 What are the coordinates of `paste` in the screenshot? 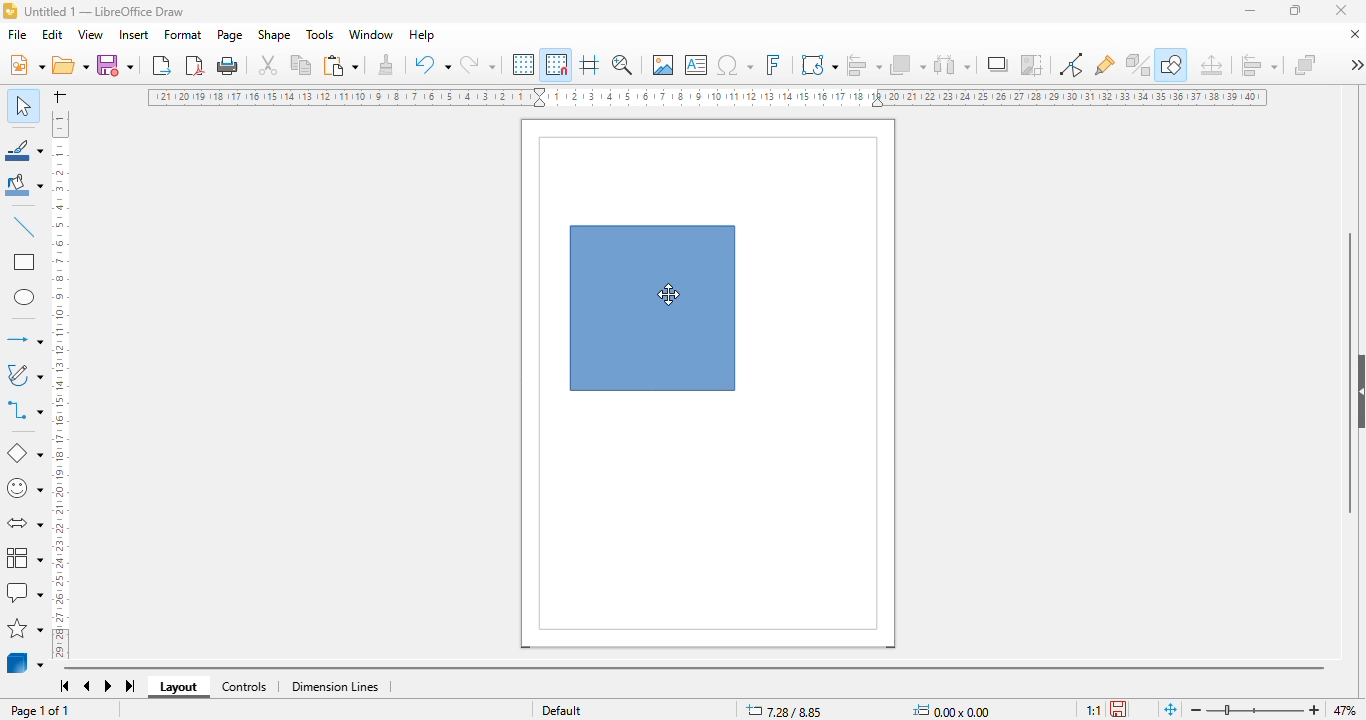 It's located at (340, 65).